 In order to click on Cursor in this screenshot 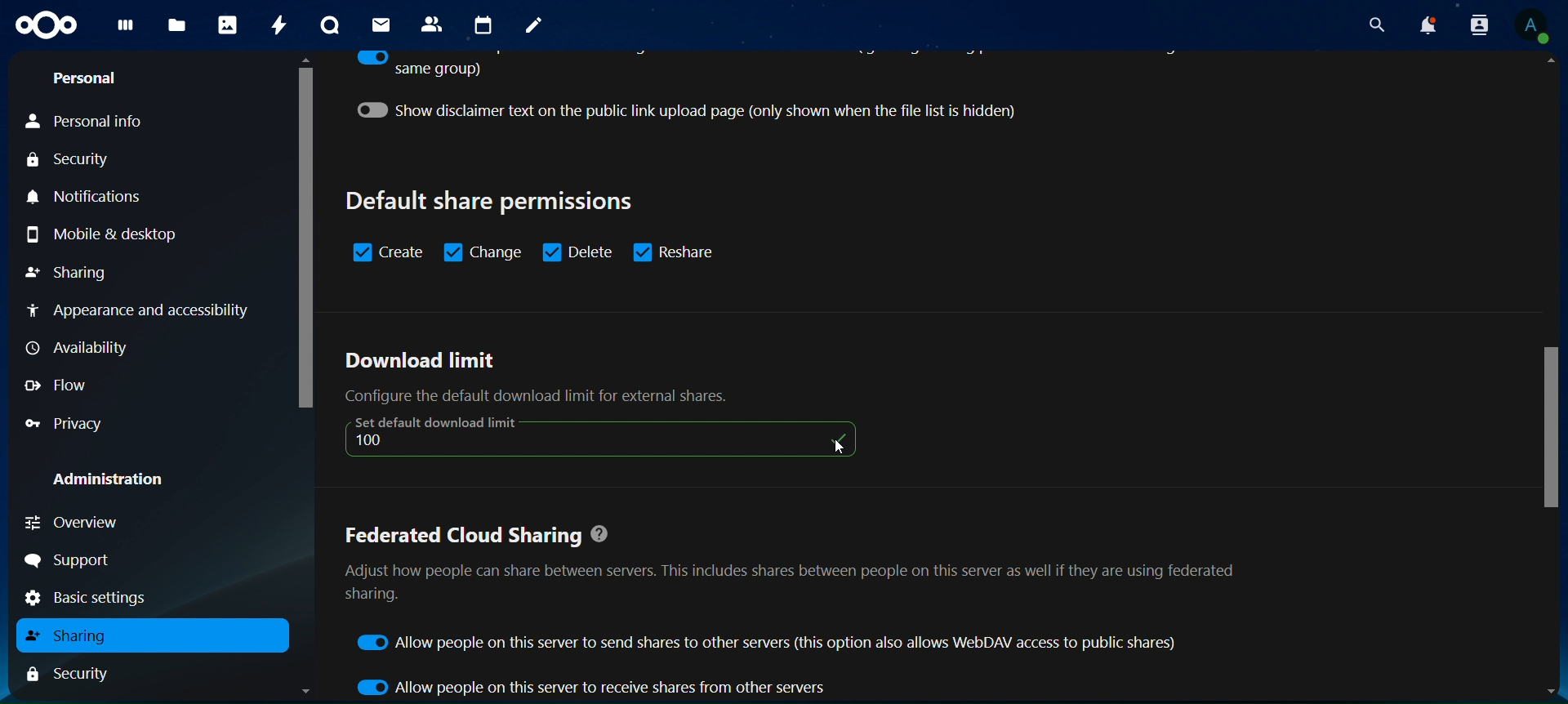, I will do `click(841, 446)`.